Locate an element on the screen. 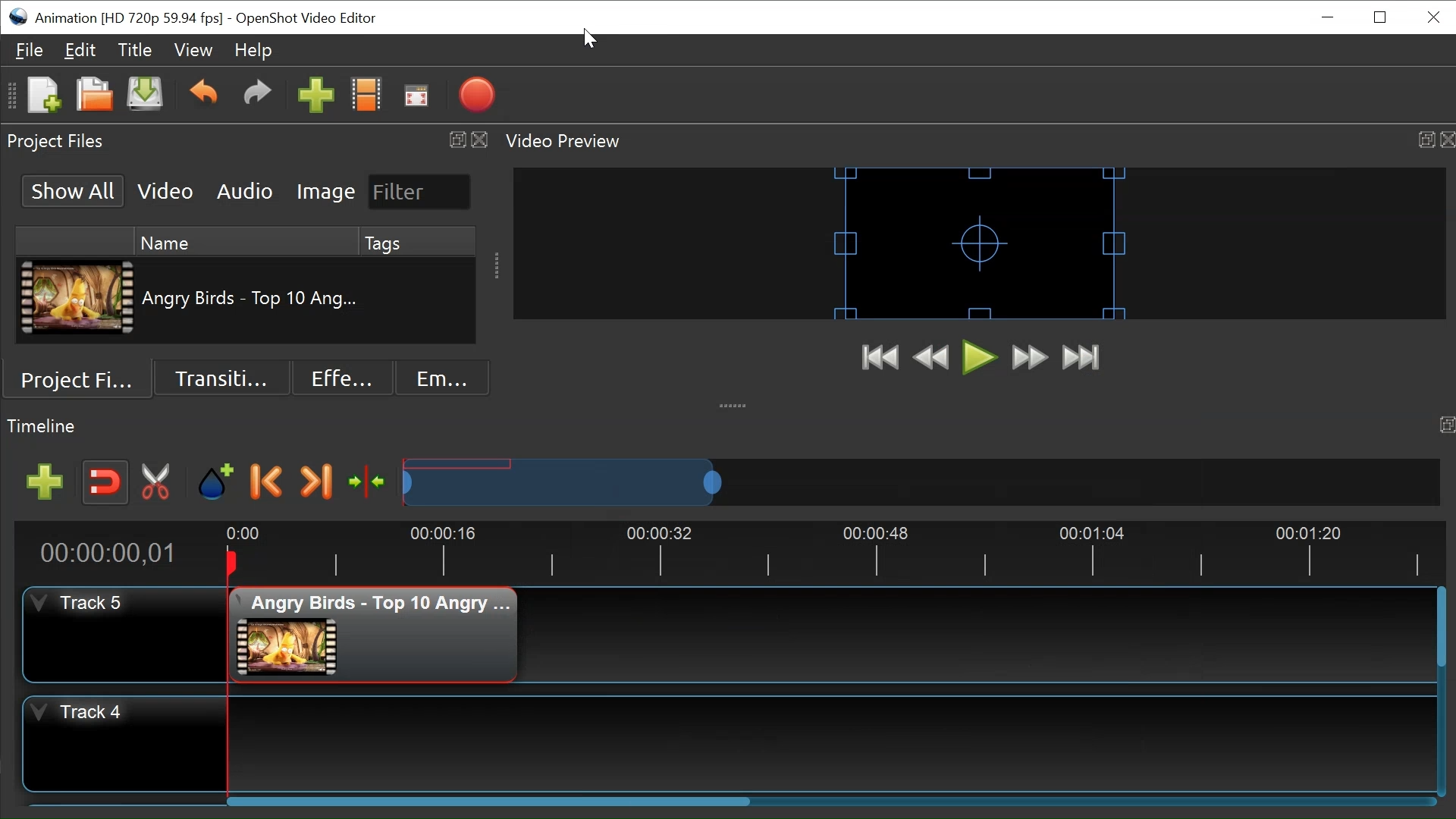  Tags is located at coordinates (417, 242).